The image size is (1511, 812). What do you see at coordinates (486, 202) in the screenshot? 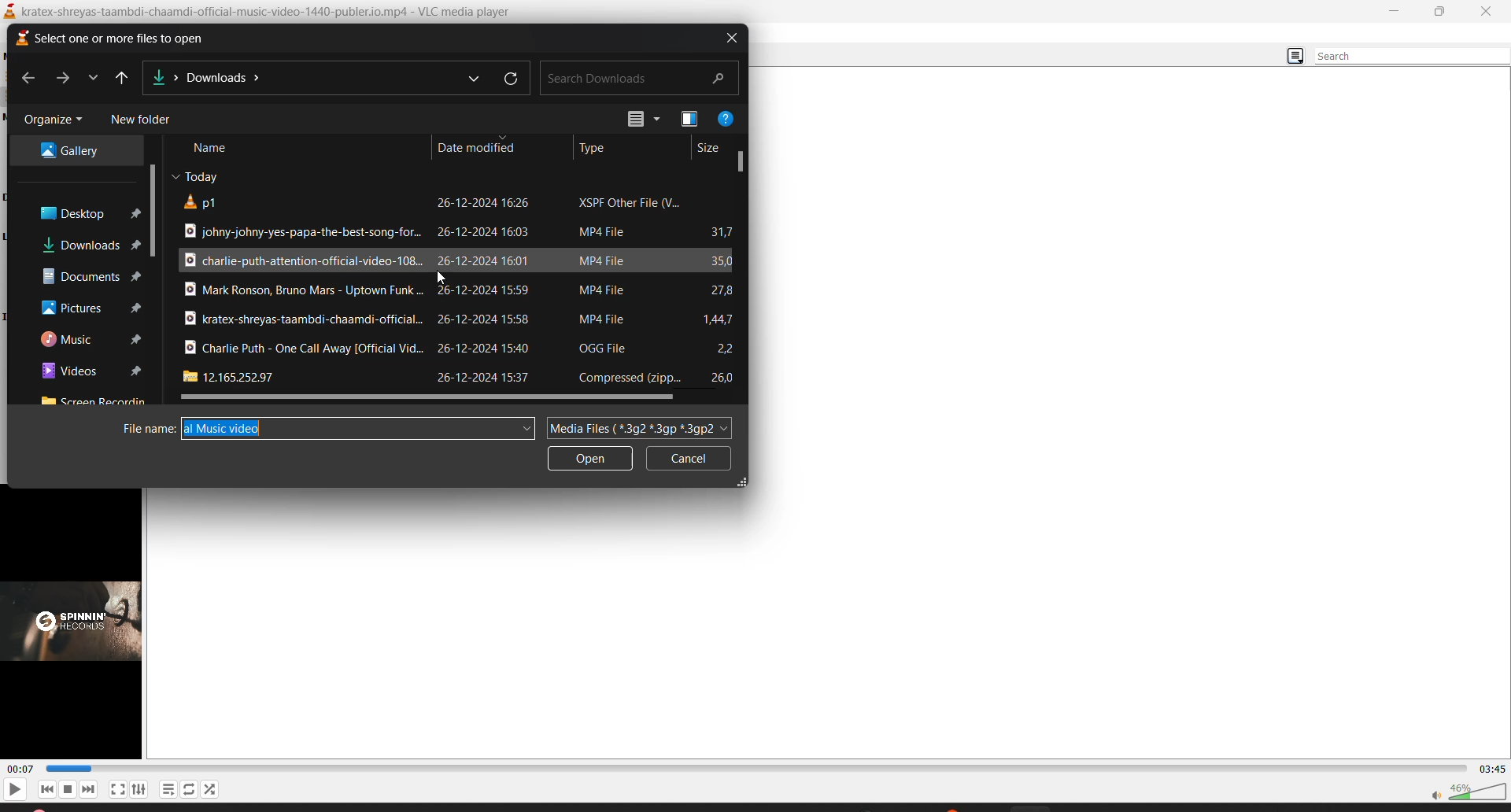
I see `date modified` at bounding box center [486, 202].